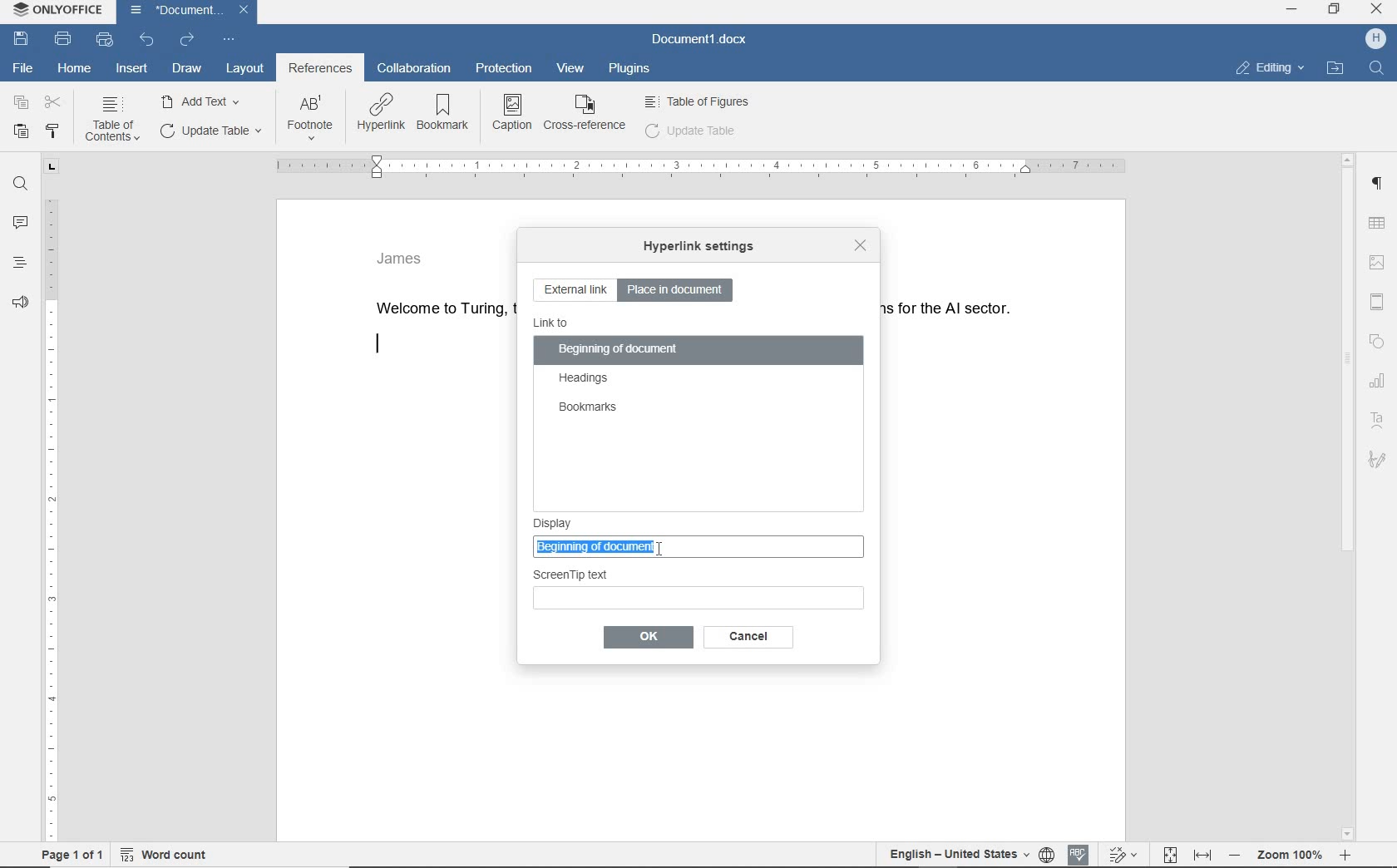 Image resolution: width=1397 pixels, height=868 pixels. What do you see at coordinates (132, 70) in the screenshot?
I see `insert` at bounding box center [132, 70].